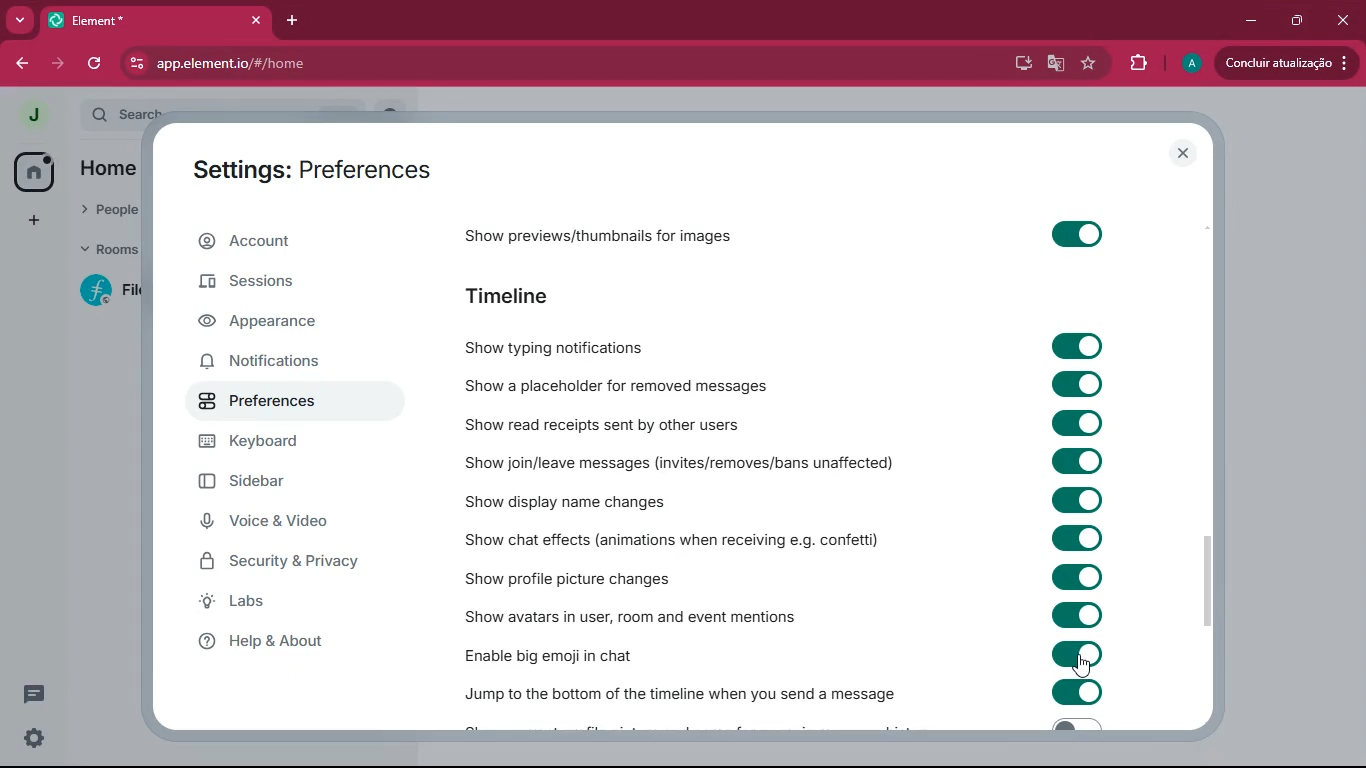 The height and width of the screenshot is (768, 1366). What do you see at coordinates (686, 691) in the screenshot?
I see `jump to the bottom of the timeline when you send a message` at bounding box center [686, 691].